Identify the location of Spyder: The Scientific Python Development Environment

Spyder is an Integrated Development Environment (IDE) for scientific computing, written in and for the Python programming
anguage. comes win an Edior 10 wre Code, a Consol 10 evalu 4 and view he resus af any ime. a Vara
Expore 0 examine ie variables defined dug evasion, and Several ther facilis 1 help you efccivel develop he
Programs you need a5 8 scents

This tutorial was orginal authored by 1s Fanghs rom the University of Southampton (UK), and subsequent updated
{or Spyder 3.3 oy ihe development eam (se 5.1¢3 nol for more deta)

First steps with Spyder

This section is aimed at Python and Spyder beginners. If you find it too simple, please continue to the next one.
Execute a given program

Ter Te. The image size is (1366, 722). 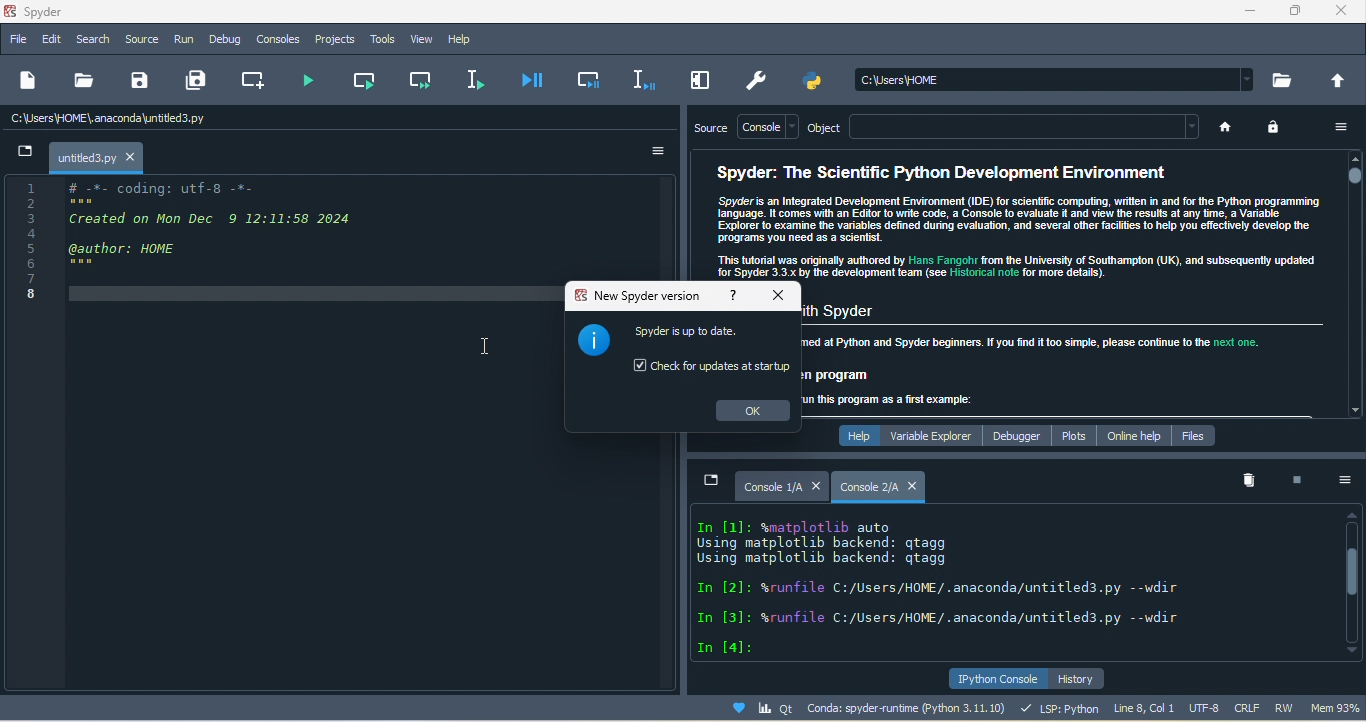
(1069, 284).